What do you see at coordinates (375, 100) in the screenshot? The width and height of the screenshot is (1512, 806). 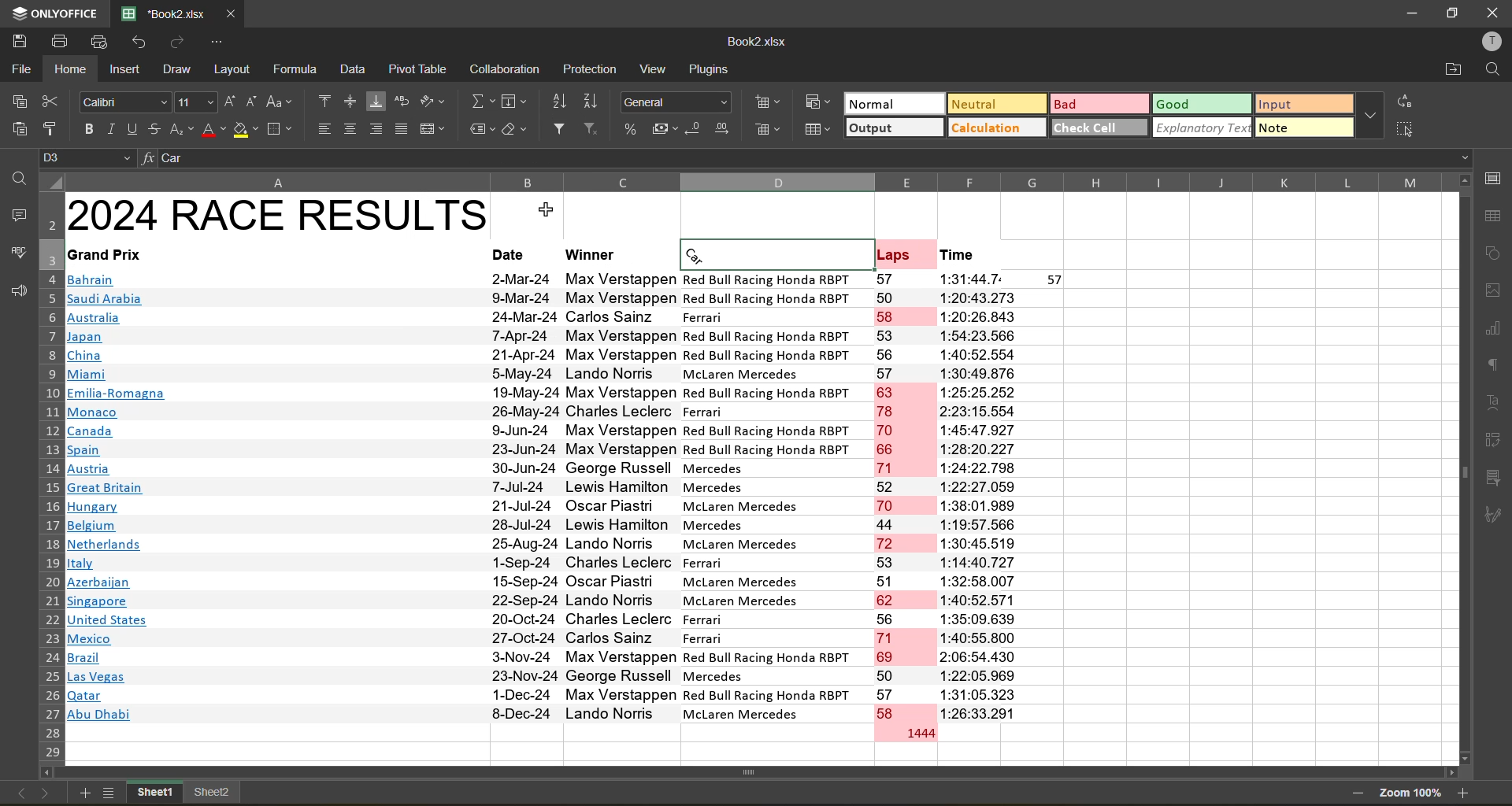 I see `align bottom` at bounding box center [375, 100].